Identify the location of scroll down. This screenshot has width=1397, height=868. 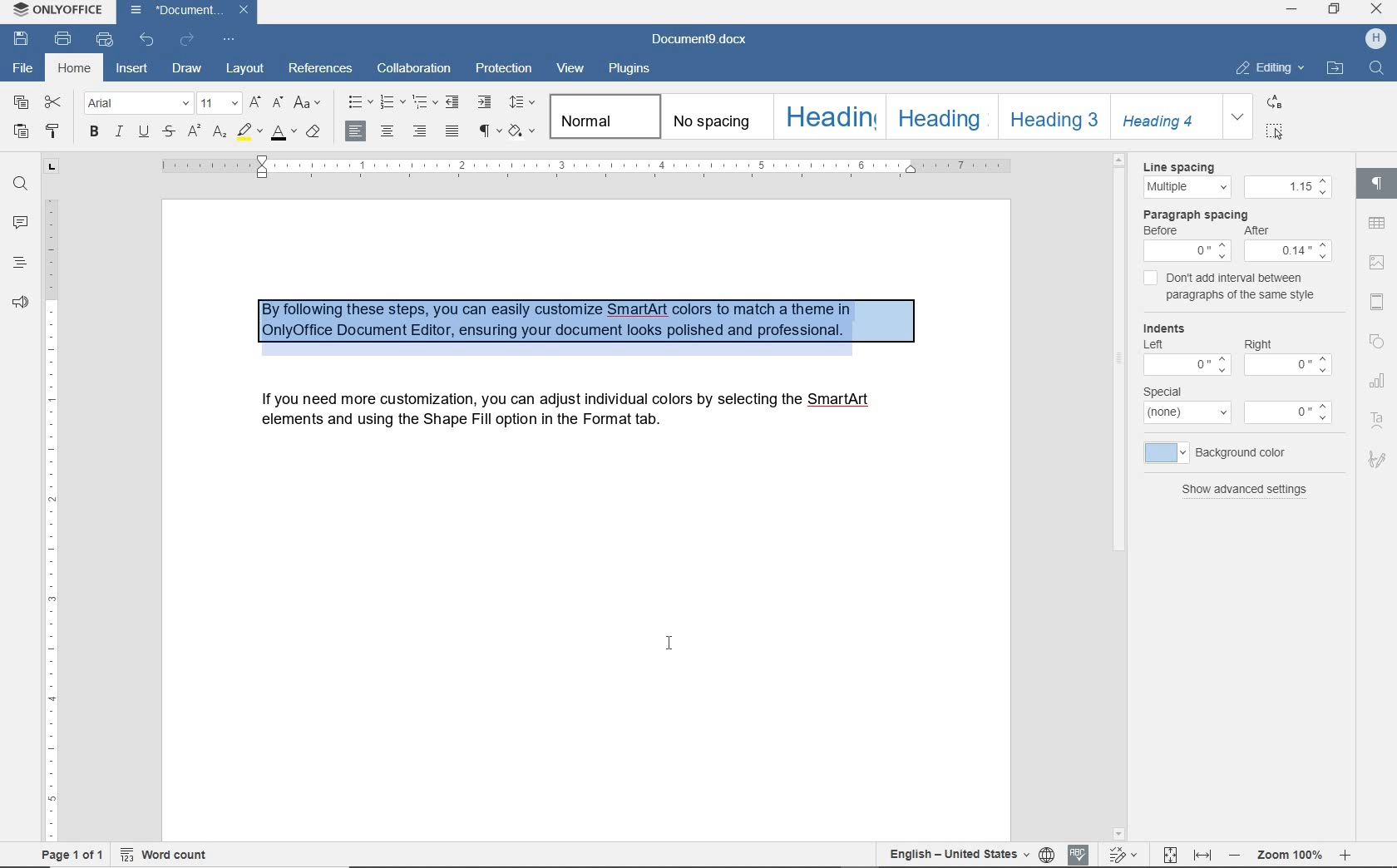
(1118, 835).